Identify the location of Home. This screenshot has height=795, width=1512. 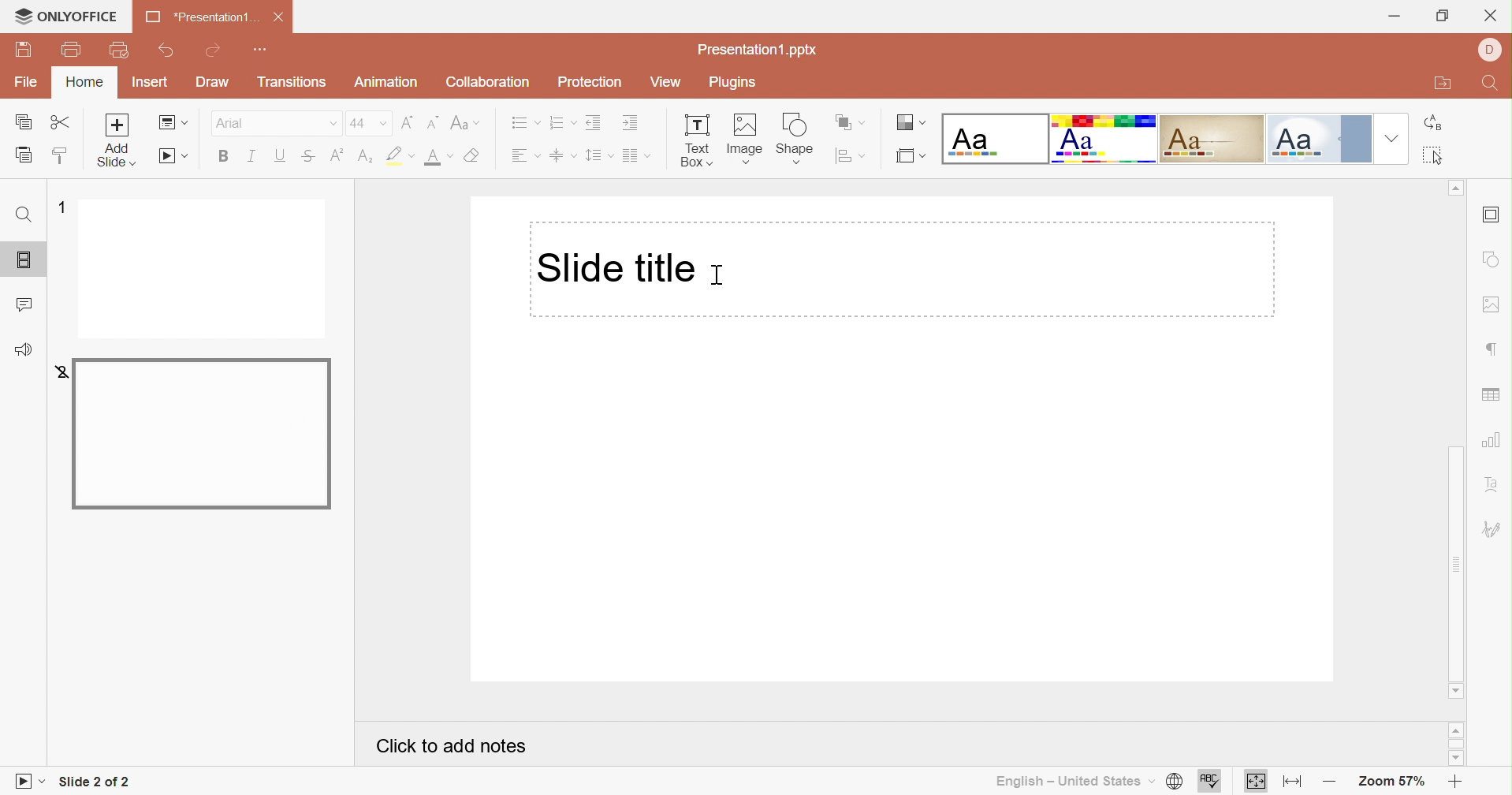
(85, 82).